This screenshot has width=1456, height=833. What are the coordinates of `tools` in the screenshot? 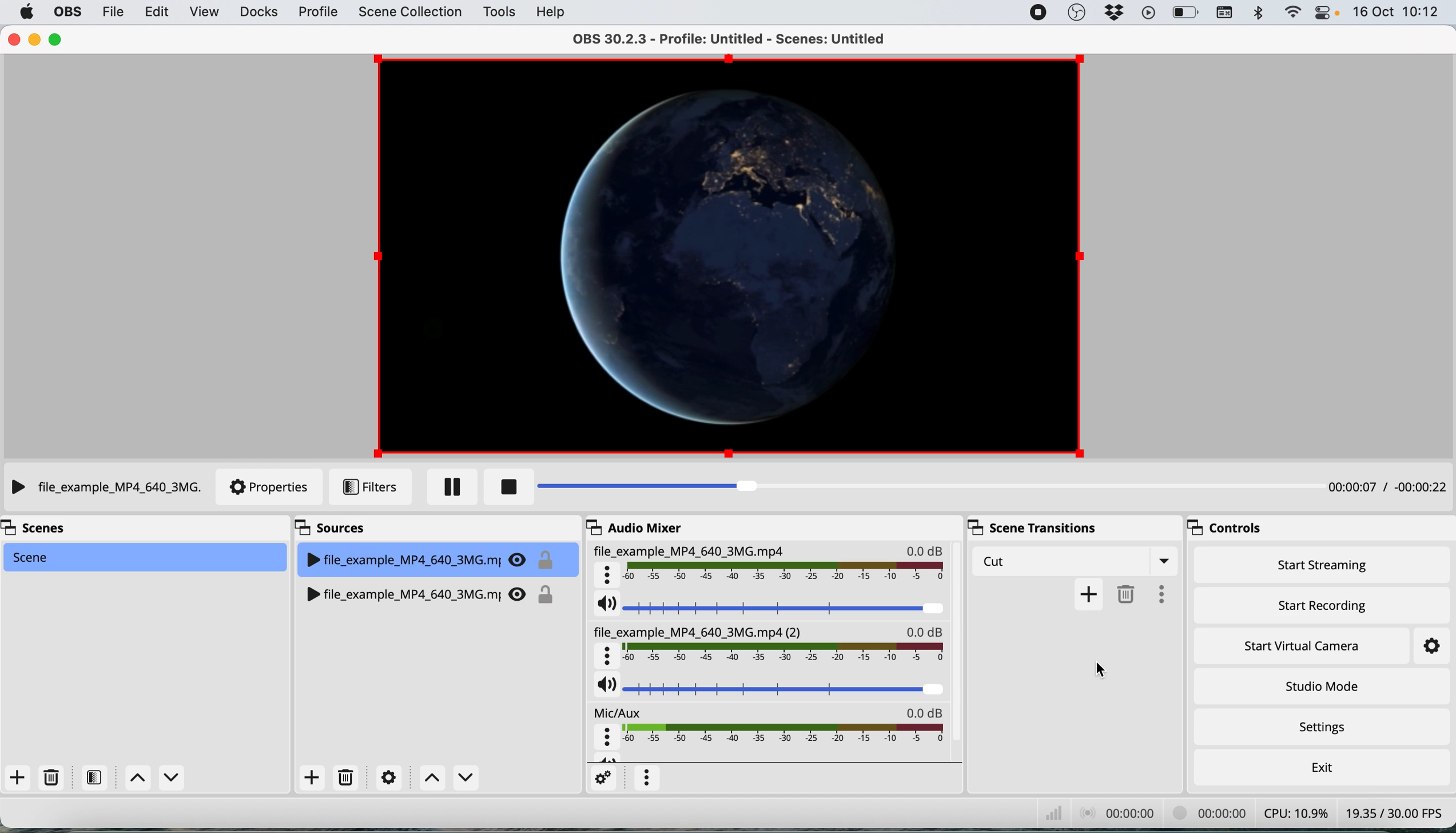 It's located at (502, 11).